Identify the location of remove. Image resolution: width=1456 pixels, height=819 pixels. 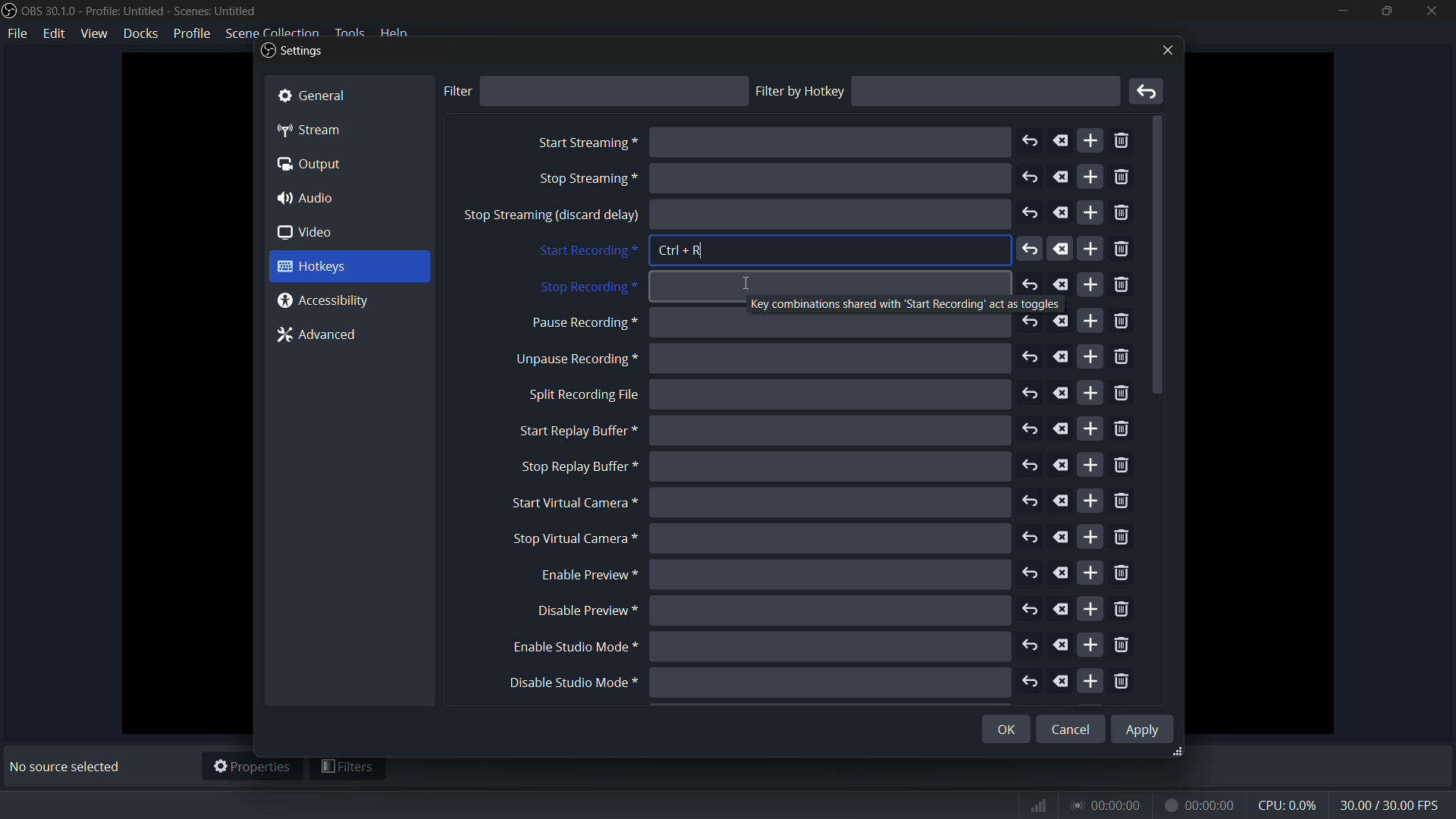
(1122, 287).